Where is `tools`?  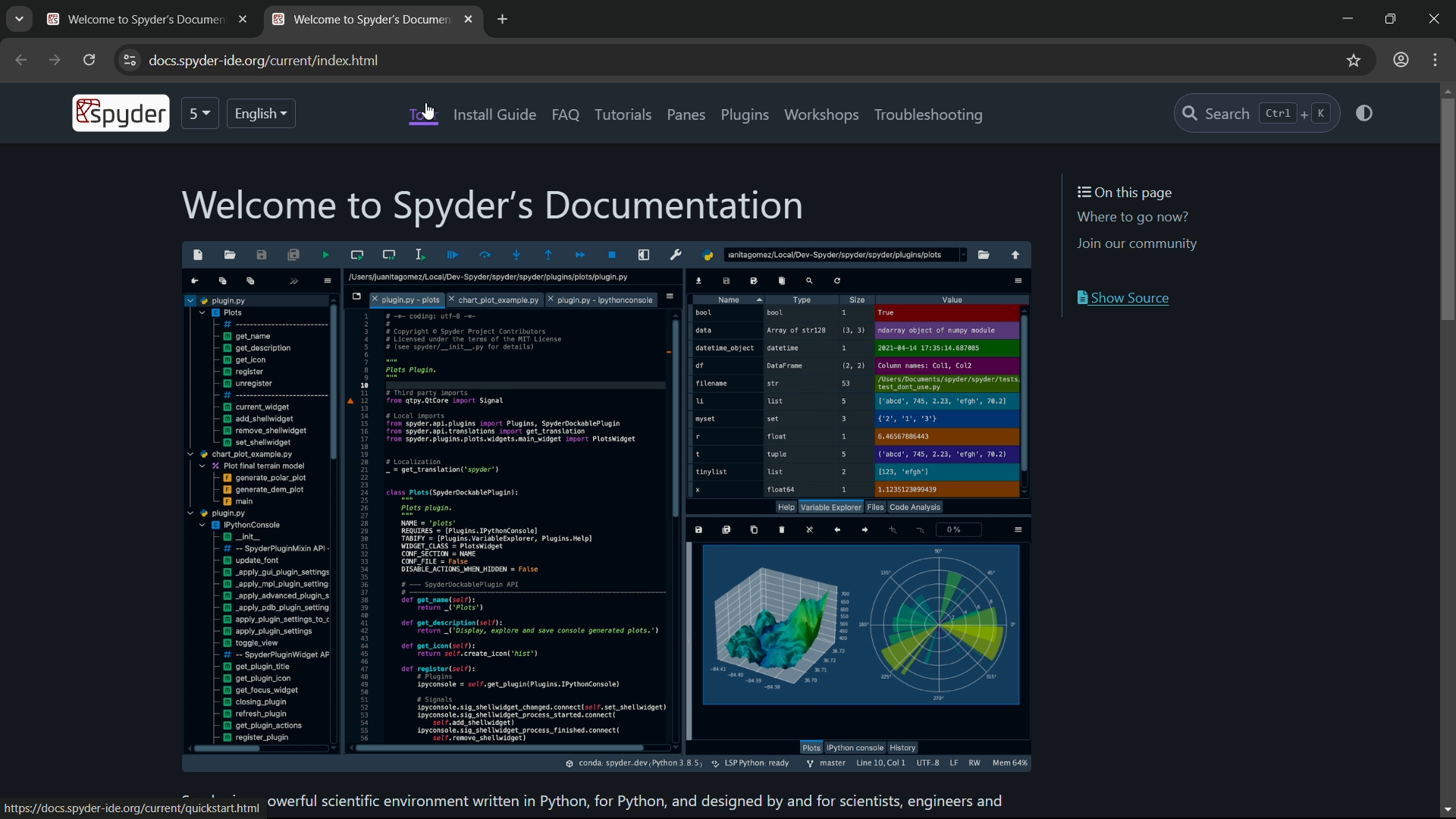
tools is located at coordinates (422, 115).